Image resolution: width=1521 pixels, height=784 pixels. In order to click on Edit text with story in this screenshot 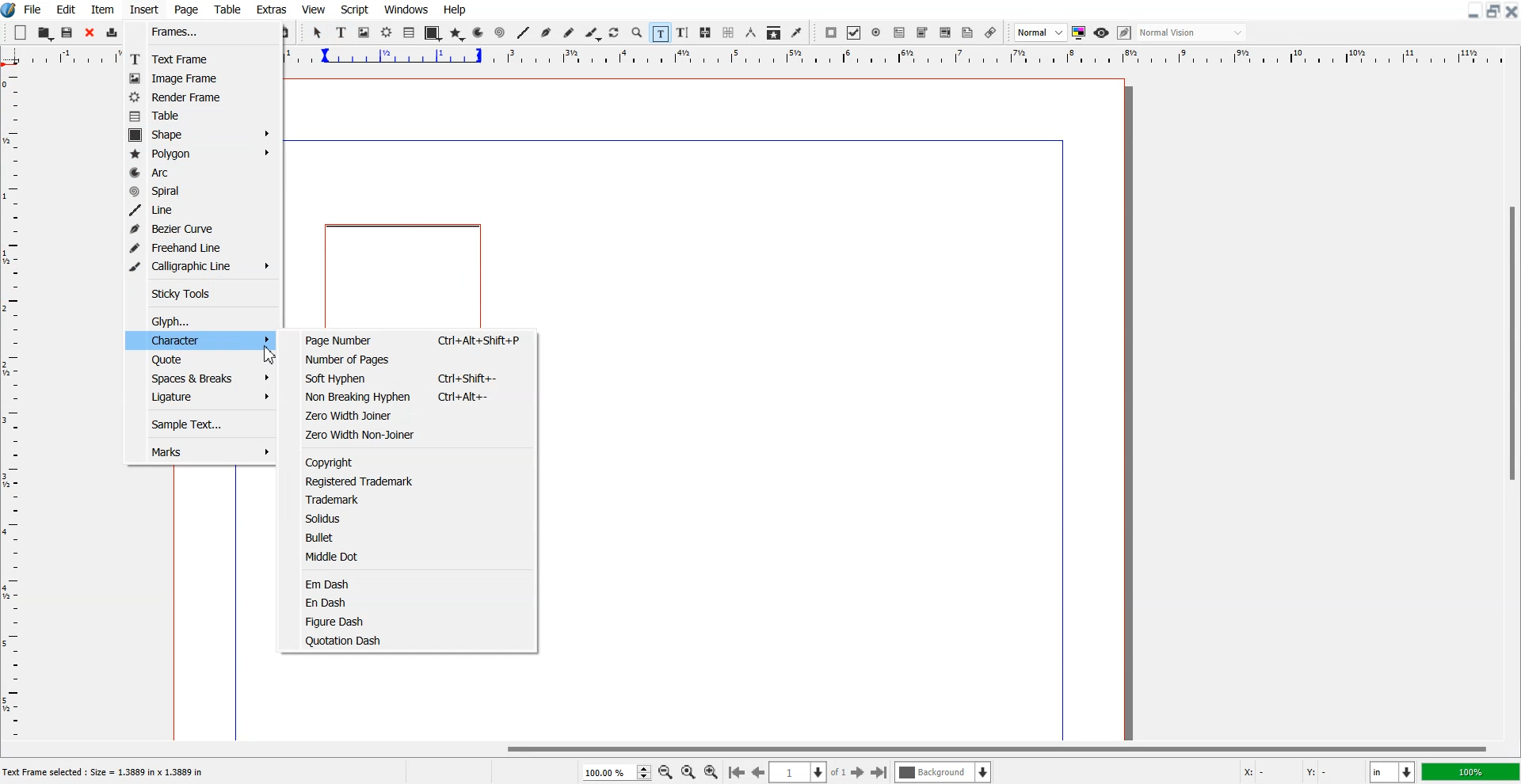, I will do `click(684, 33)`.